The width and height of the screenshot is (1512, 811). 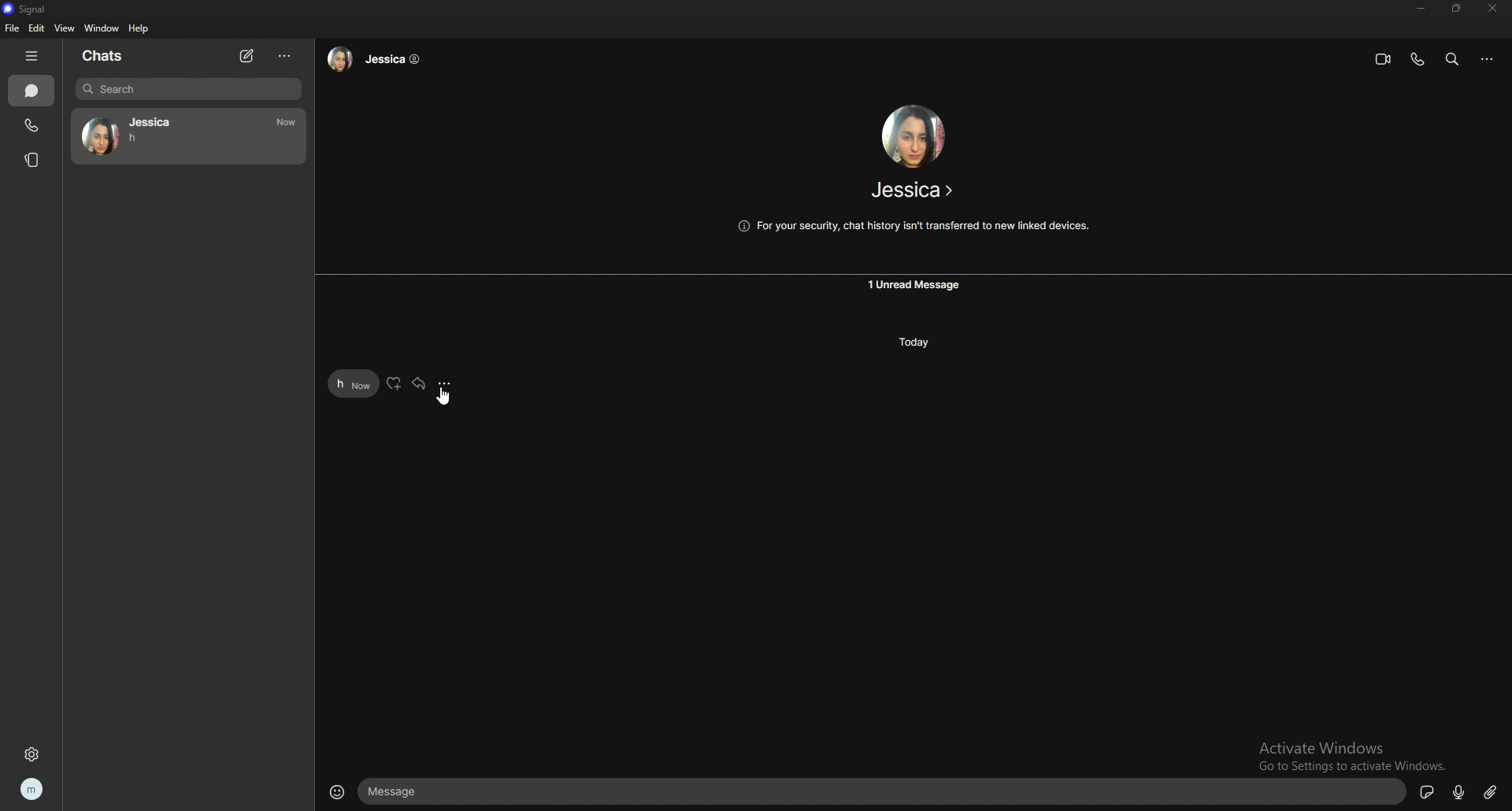 I want to click on options, so click(x=283, y=57).